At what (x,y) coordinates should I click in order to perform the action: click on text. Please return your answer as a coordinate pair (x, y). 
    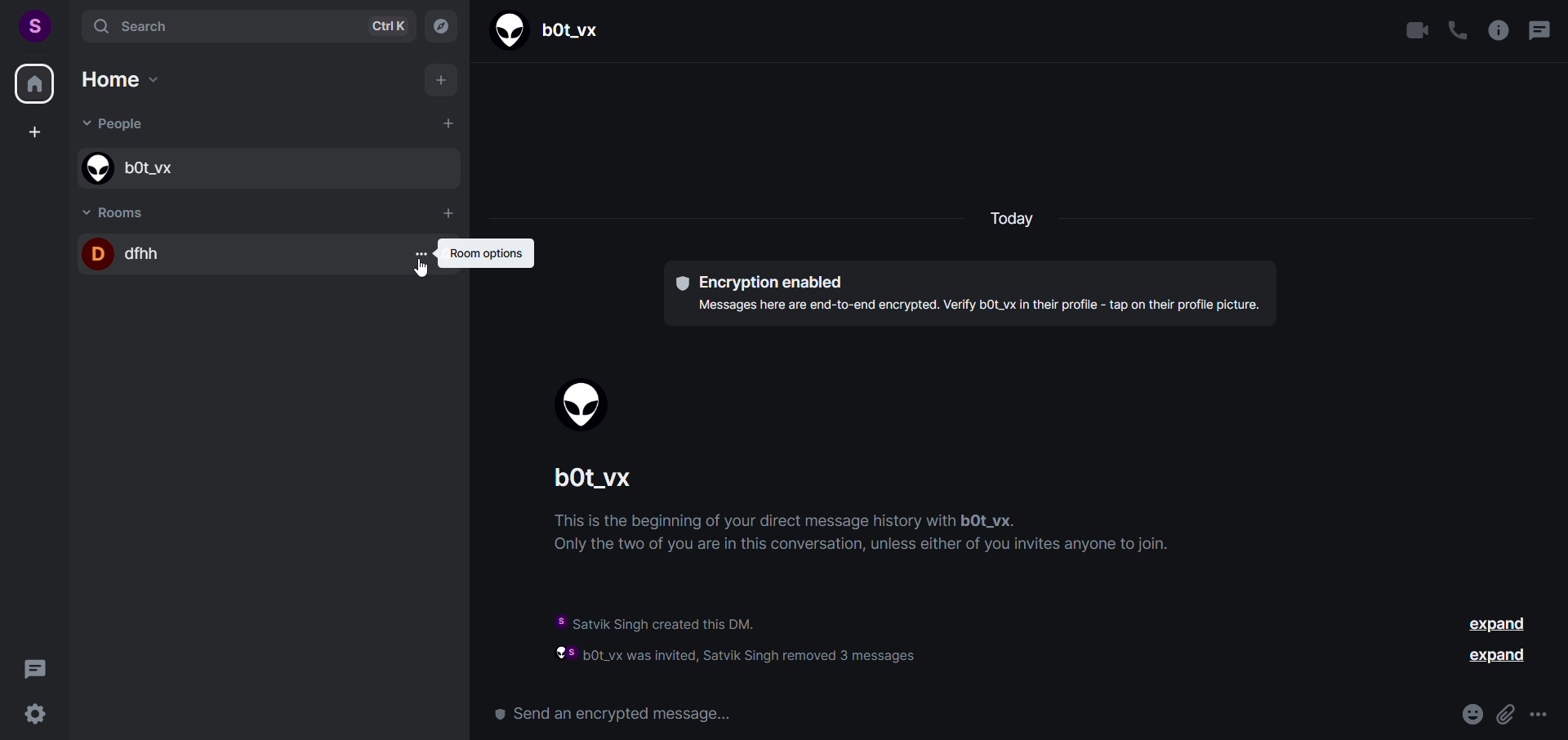
    Looking at the image, I should click on (974, 293).